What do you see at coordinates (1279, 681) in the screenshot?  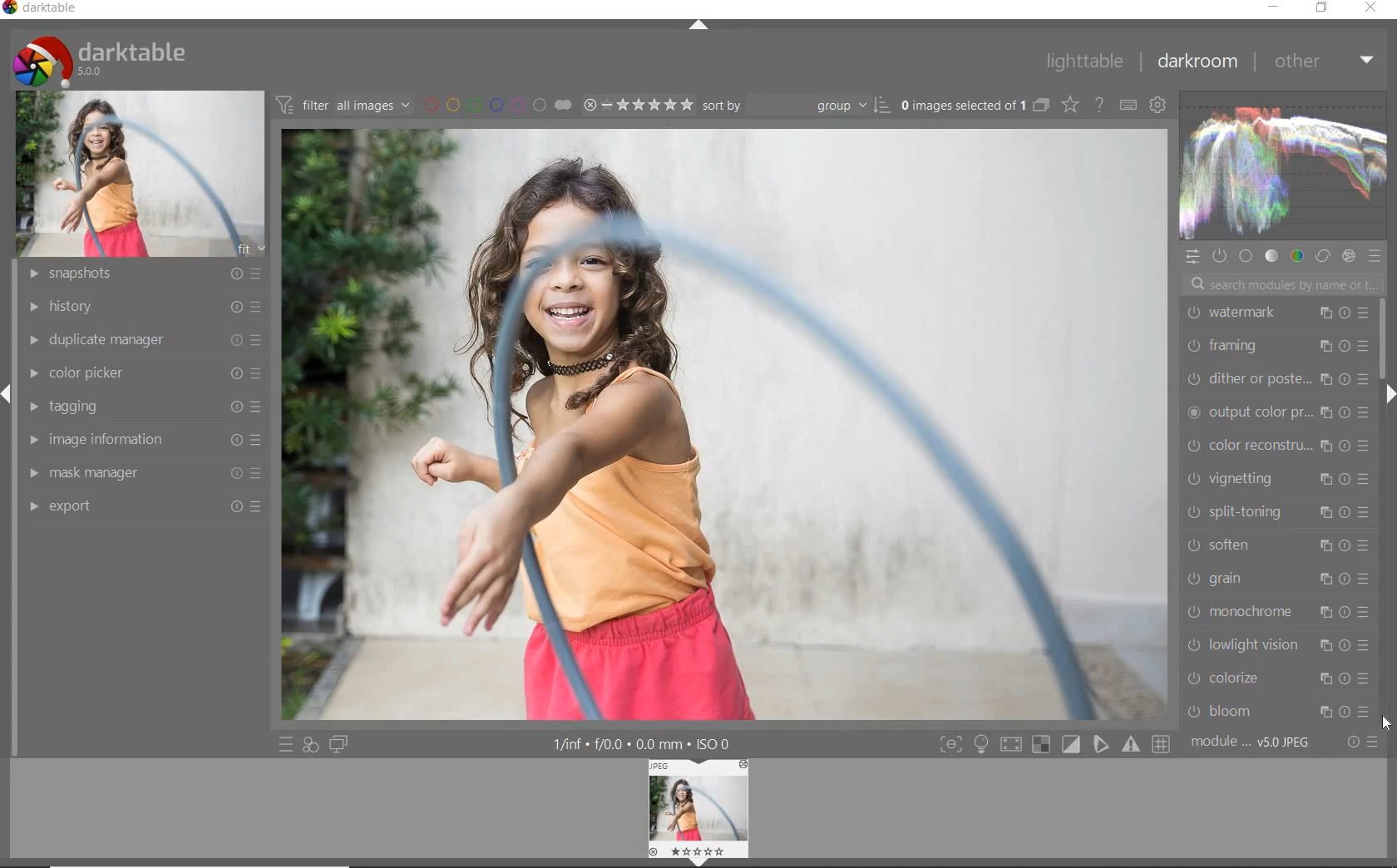 I see `colorize` at bounding box center [1279, 681].